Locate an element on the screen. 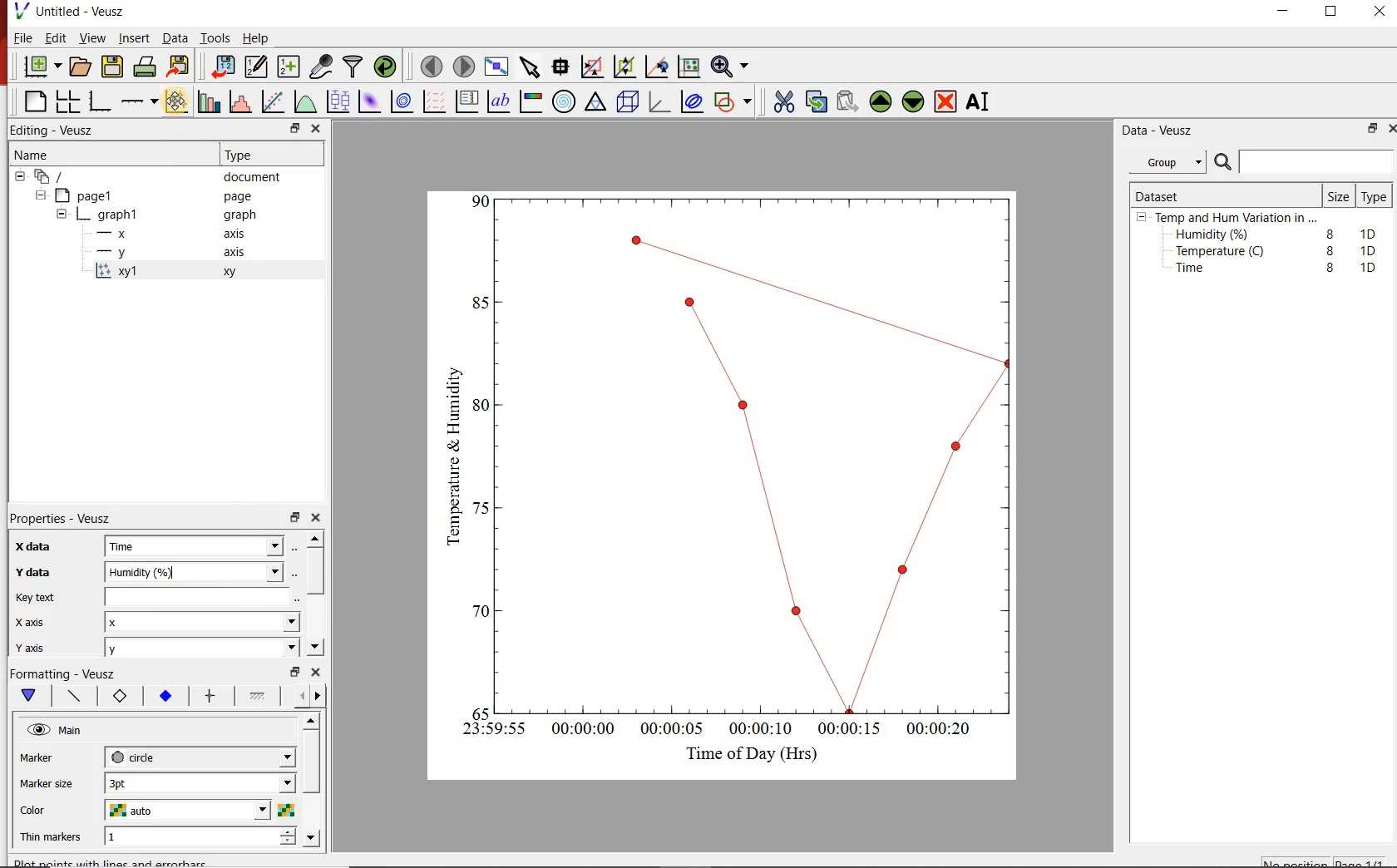  view plot full screen is located at coordinates (497, 67).